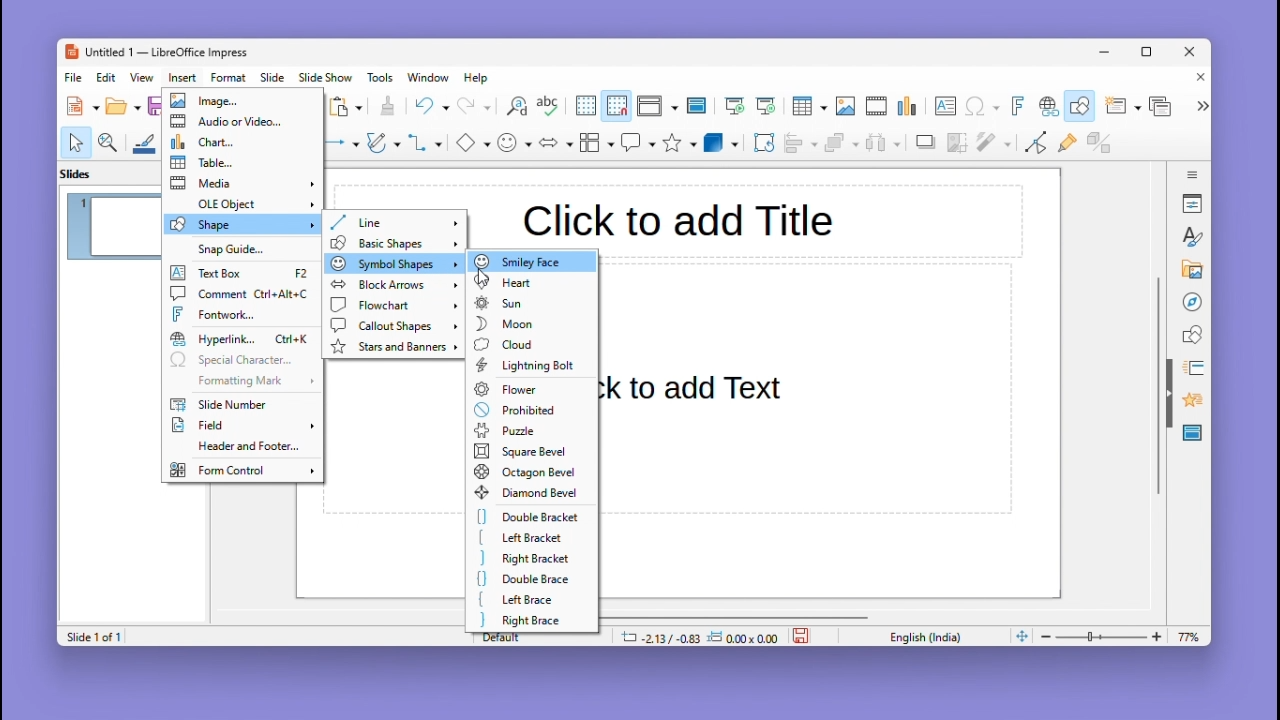 The height and width of the screenshot is (720, 1280). What do you see at coordinates (1190, 403) in the screenshot?
I see `Effects` at bounding box center [1190, 403].